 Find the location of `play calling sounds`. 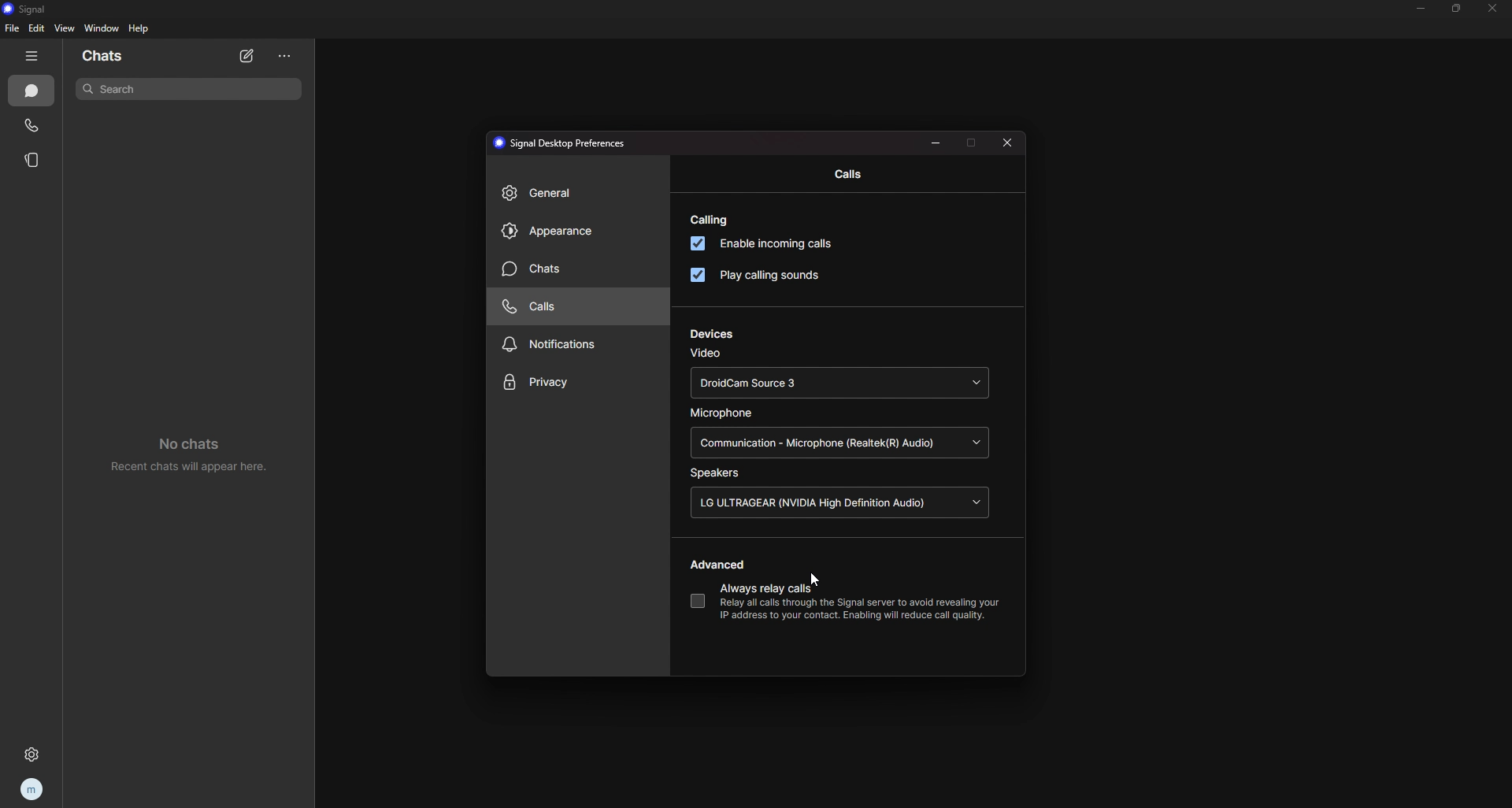

play calling sounds is located at coordinates (758, 273).